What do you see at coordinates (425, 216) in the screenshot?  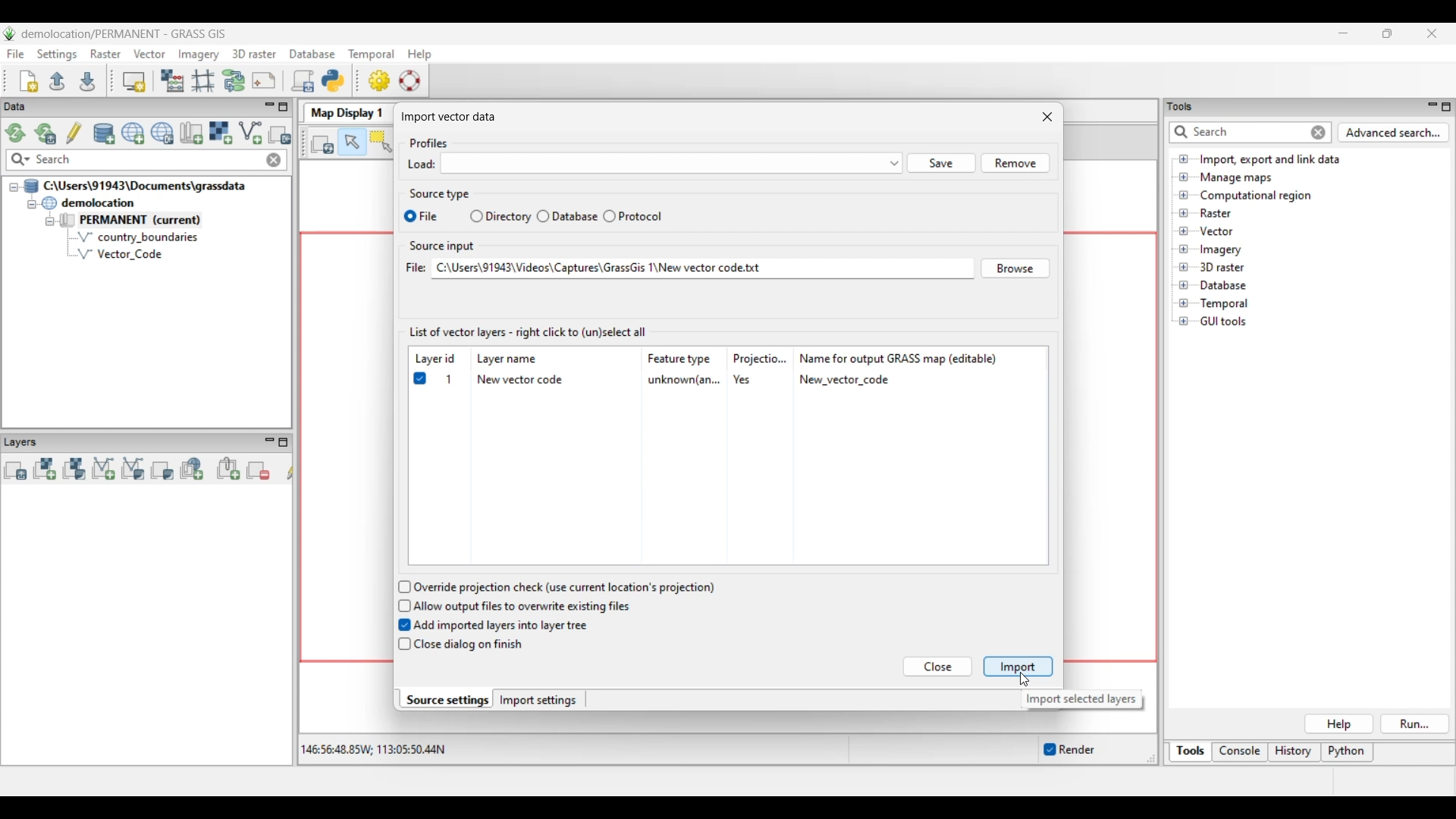 I see `File ` at bounding box center [425, 216].